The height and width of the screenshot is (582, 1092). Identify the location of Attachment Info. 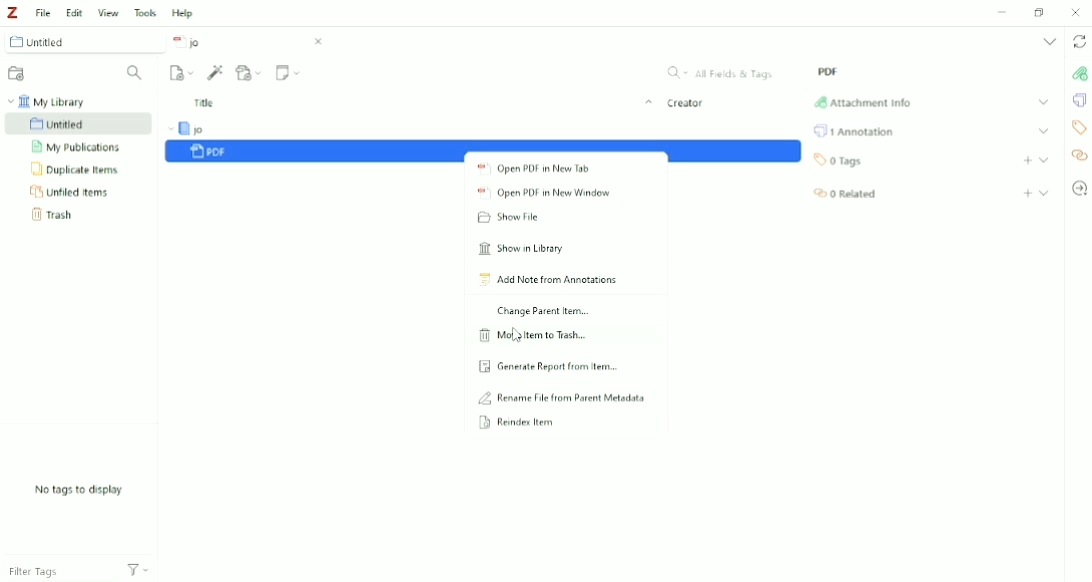
(861, 102).